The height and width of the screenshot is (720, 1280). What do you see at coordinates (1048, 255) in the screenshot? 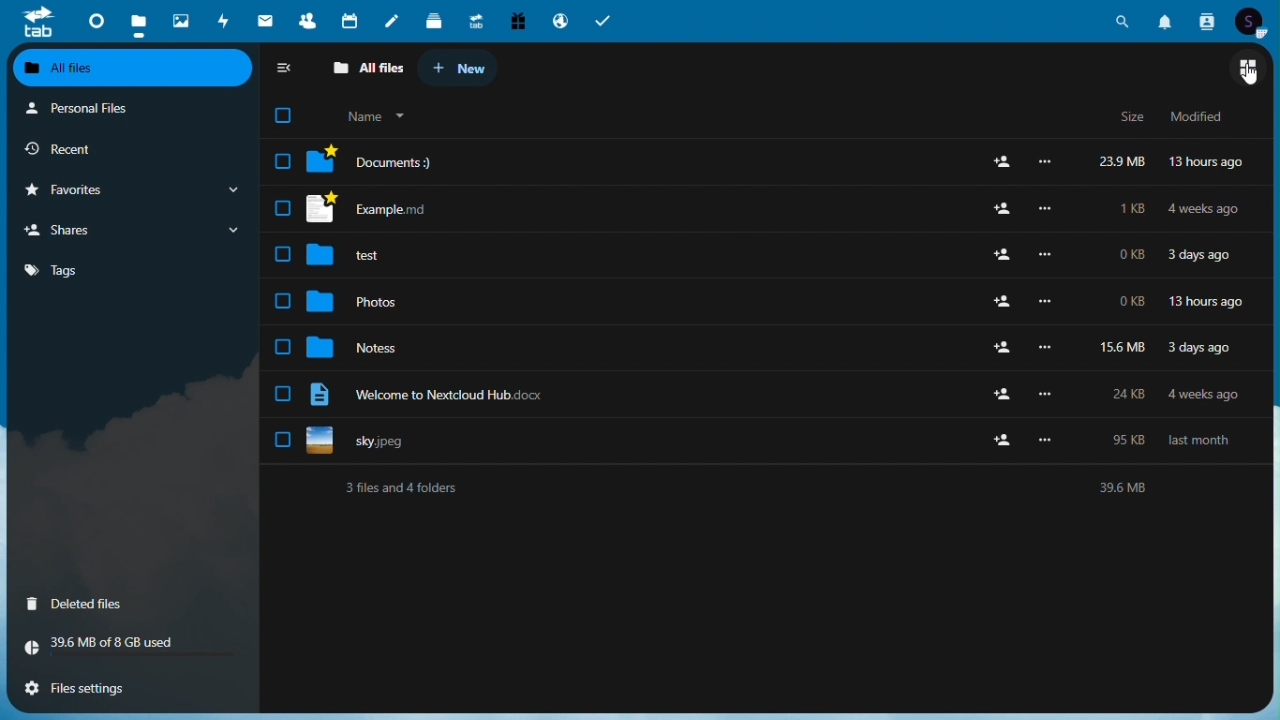
I see `more options` at bounding box center [1048, 255].